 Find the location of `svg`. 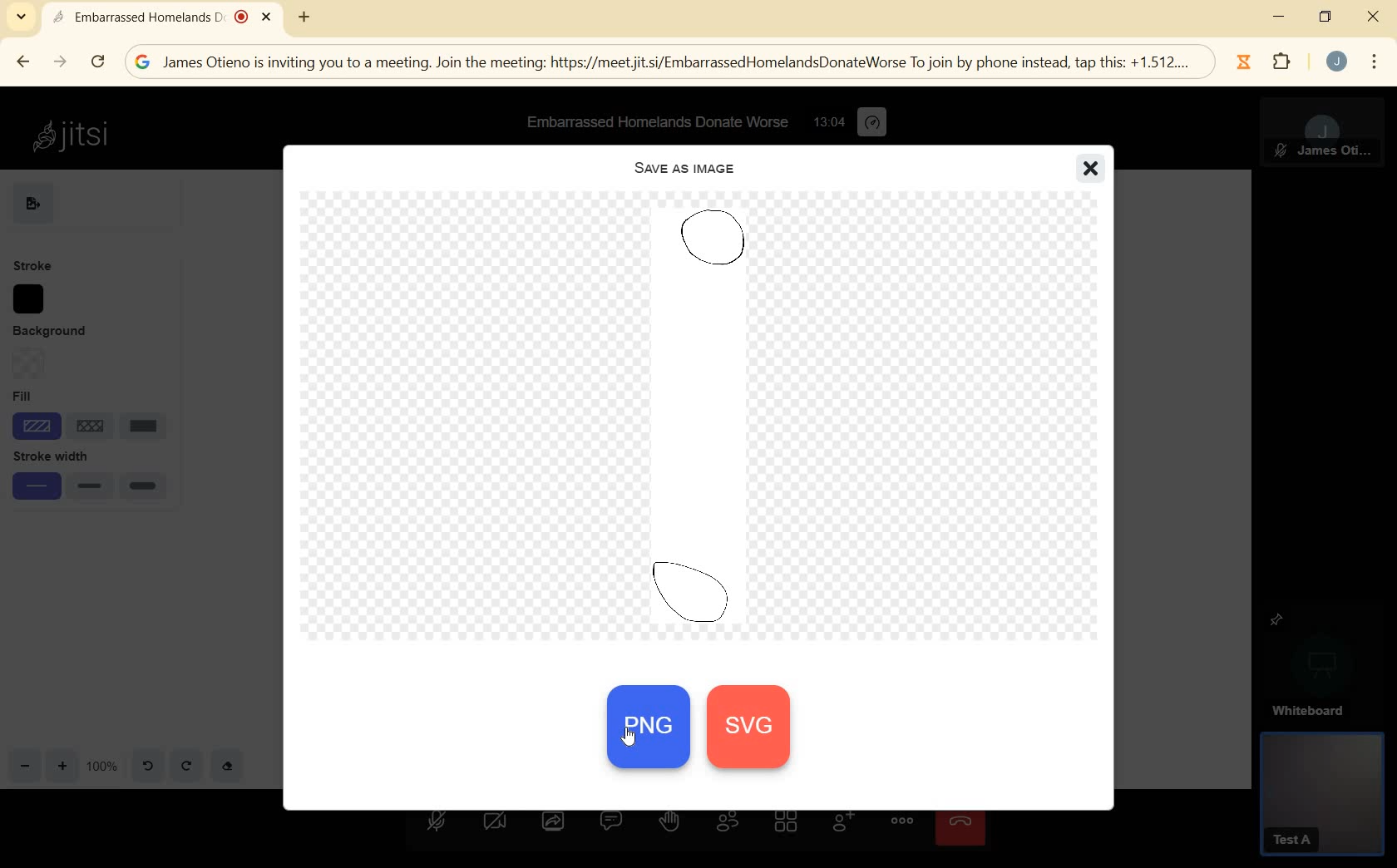

svg is located at coordinates (748, 732).